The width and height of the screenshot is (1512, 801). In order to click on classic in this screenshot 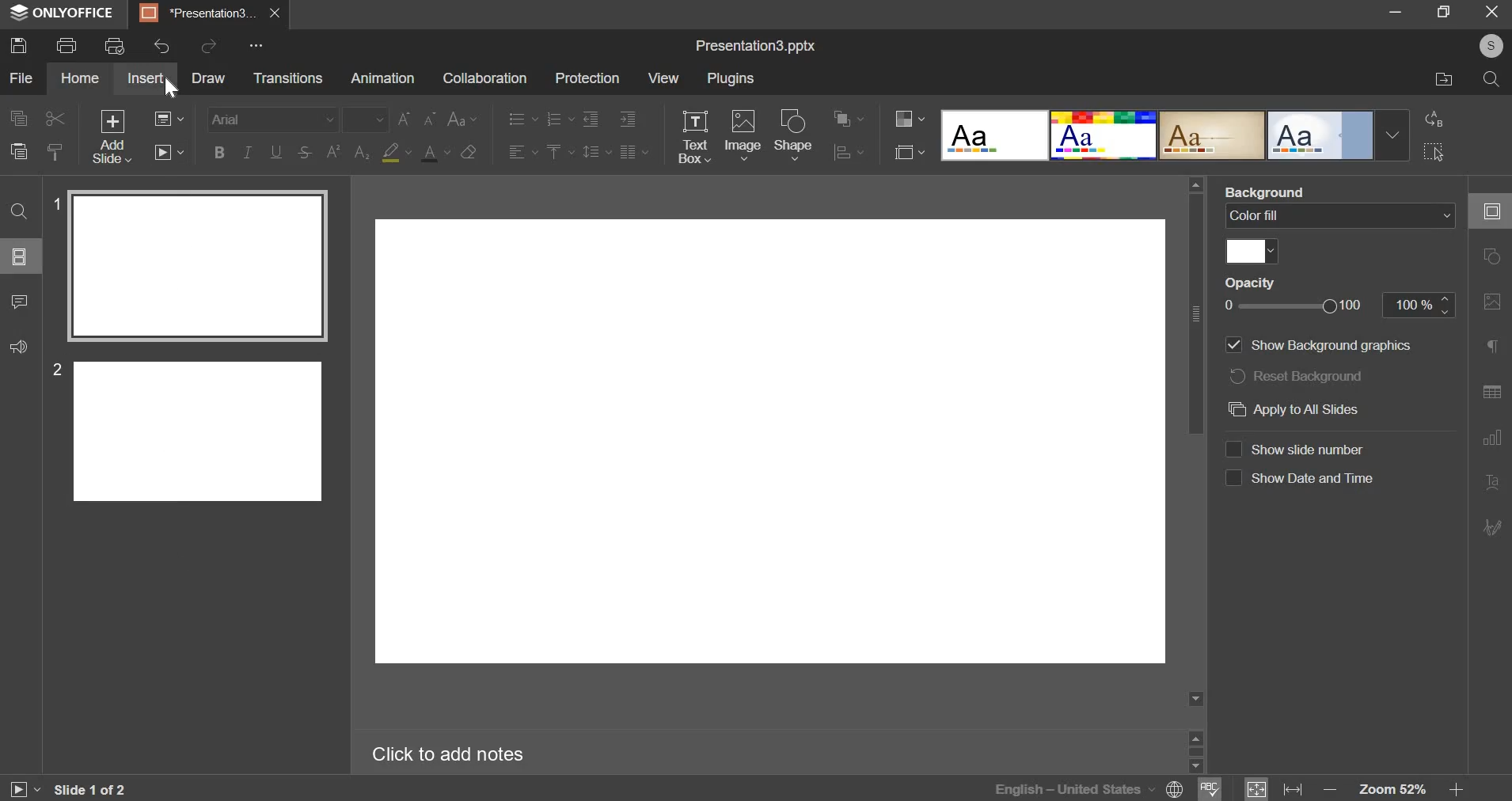, I will do `click(1211, 135)`.